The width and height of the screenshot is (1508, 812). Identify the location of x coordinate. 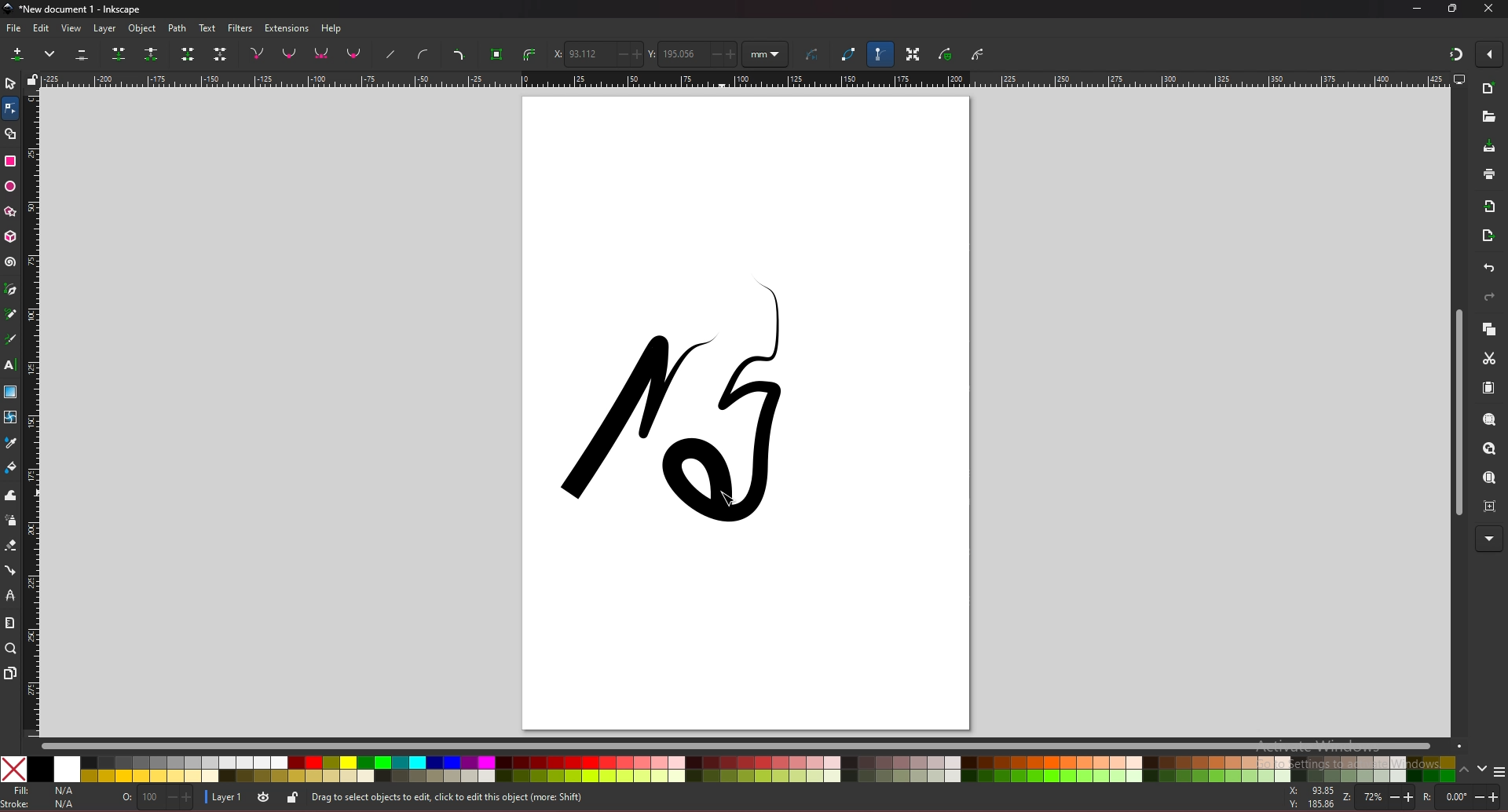
(596, 53).